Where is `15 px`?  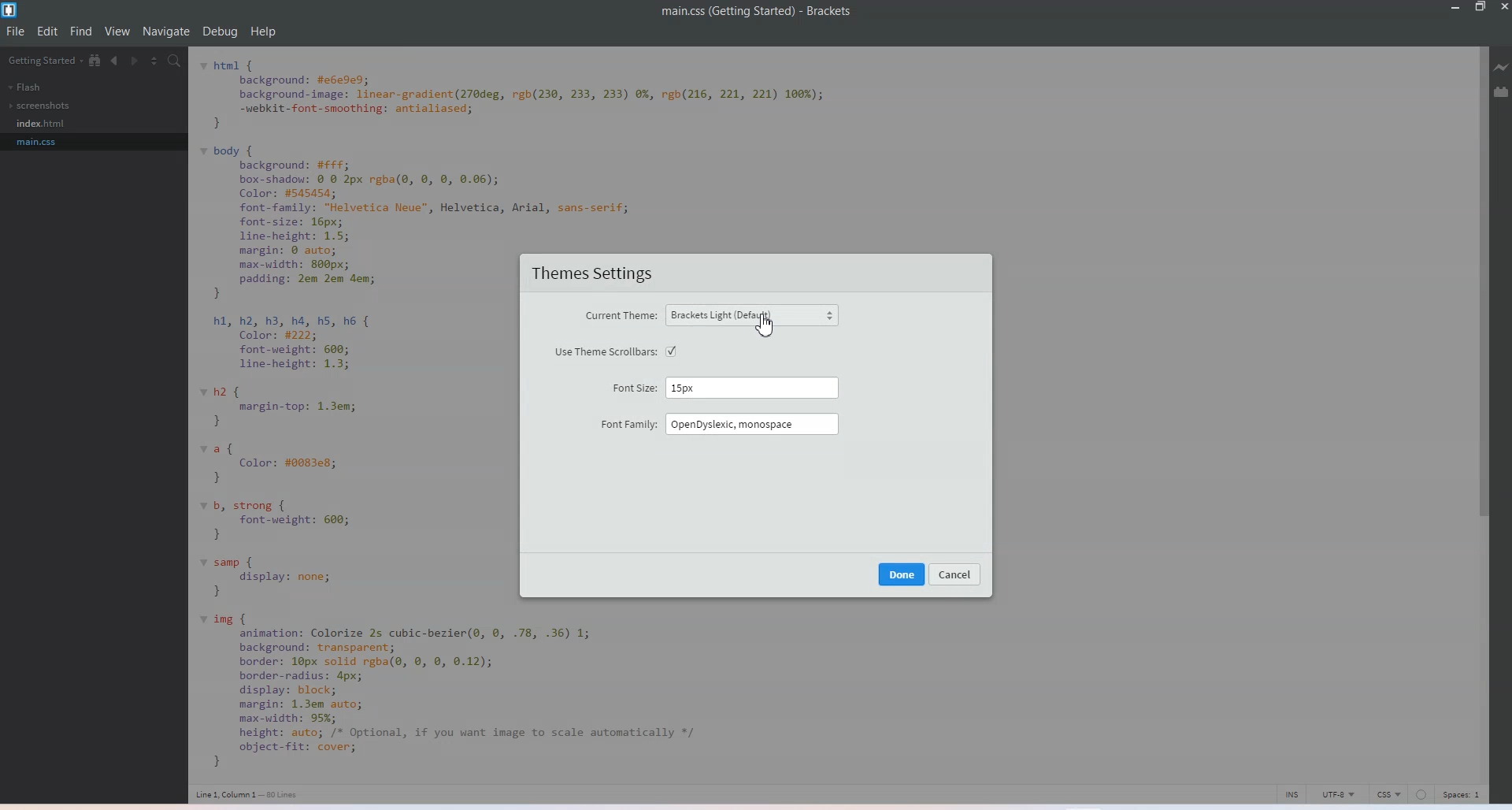 15 px is located at coordinates (750, 388).